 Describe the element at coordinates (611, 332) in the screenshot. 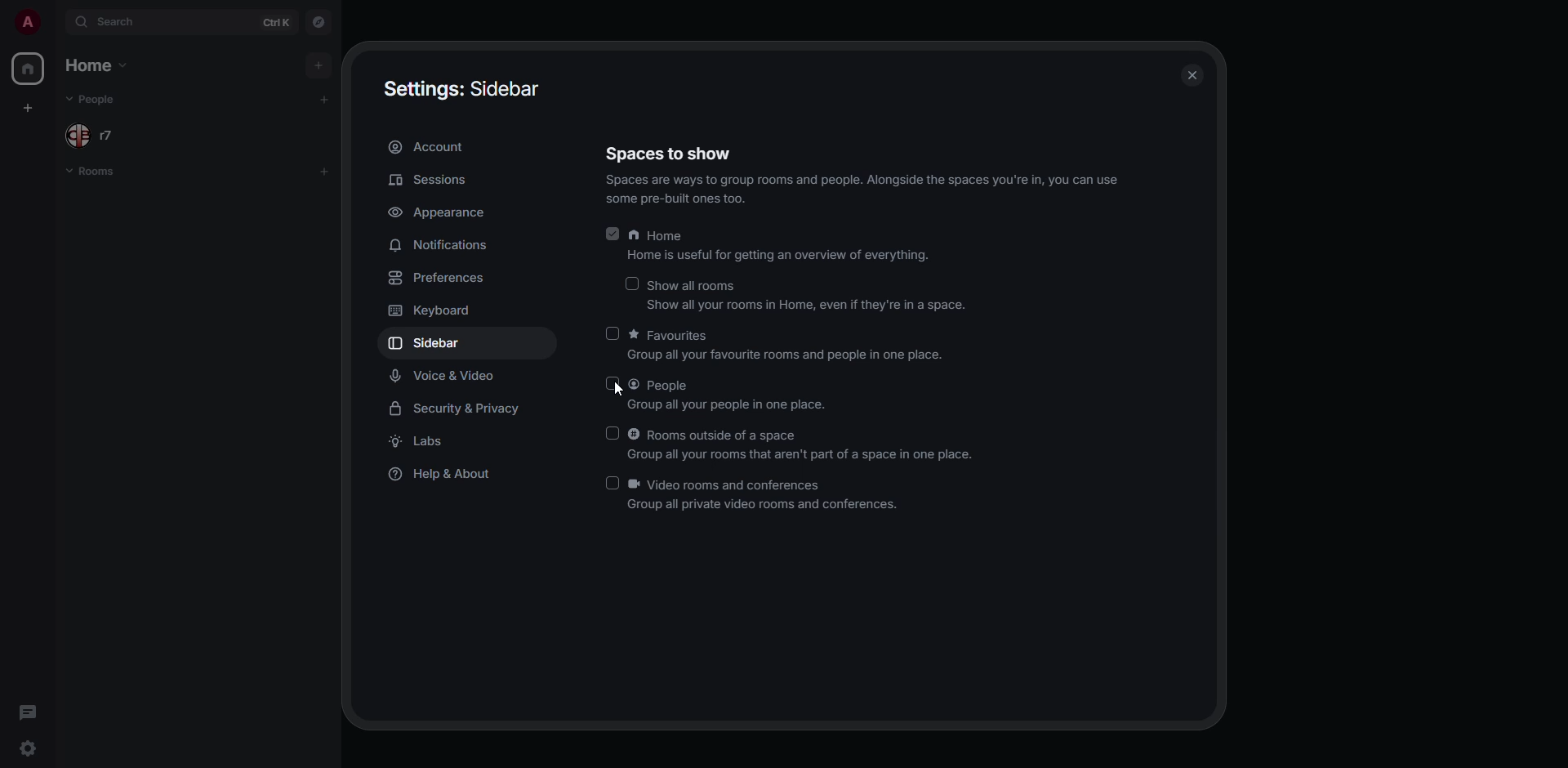

I see `click to enable` at that location.